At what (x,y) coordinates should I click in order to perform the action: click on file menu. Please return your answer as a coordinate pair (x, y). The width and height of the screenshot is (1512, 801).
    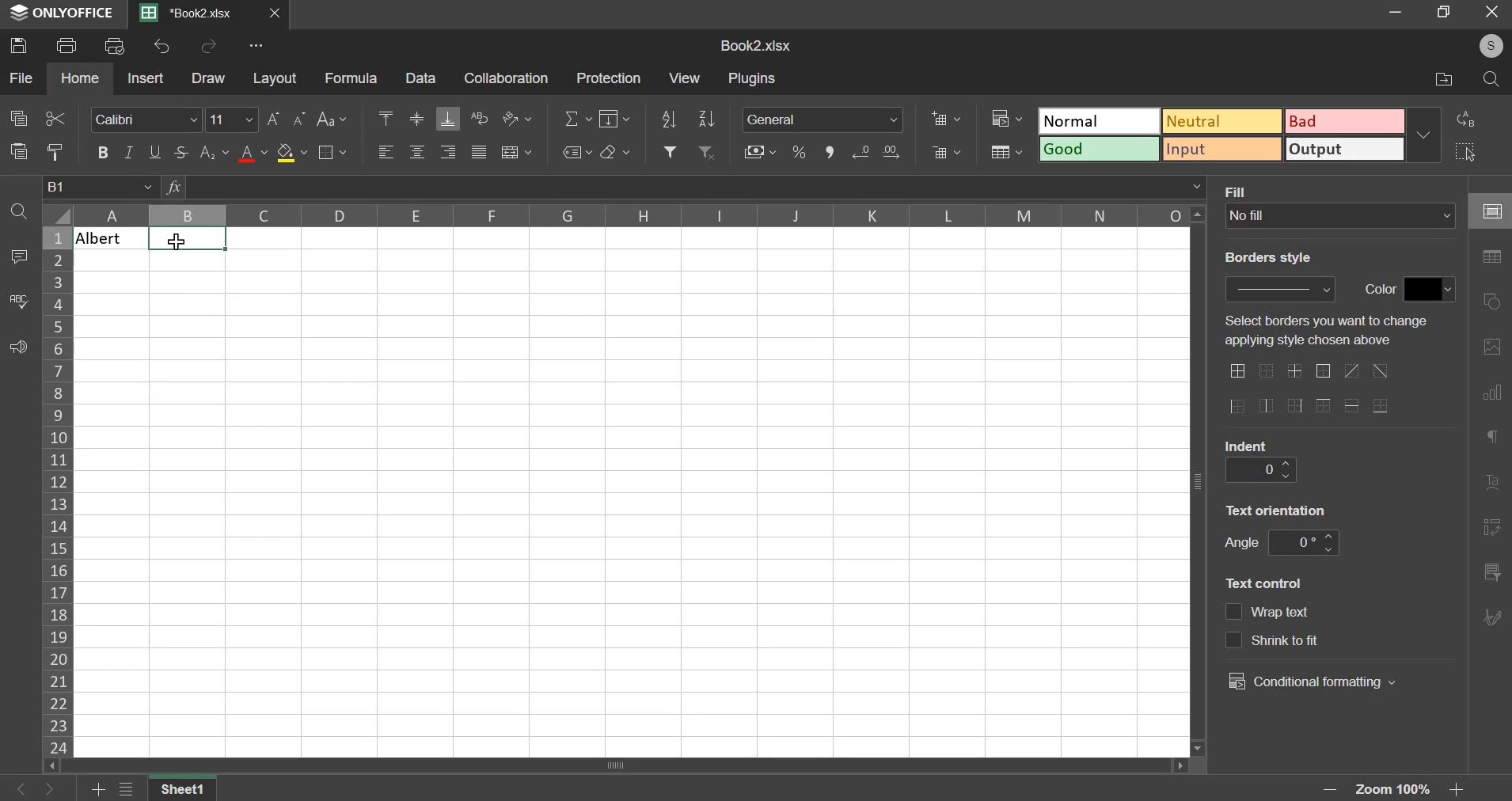
    Looking at the image, I should click on (127, 789).